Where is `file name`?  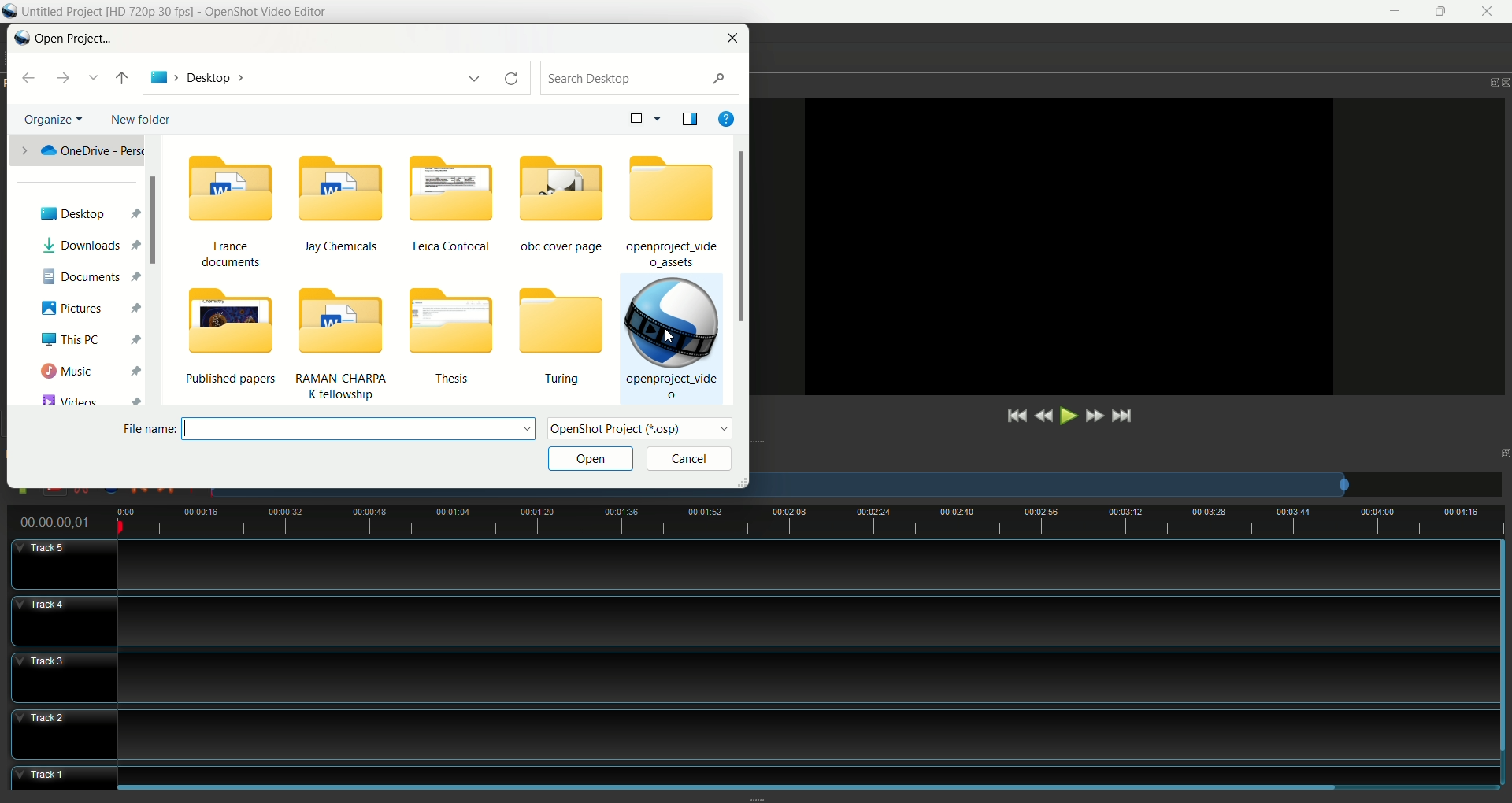 file name is located at coordinates (332, 427).